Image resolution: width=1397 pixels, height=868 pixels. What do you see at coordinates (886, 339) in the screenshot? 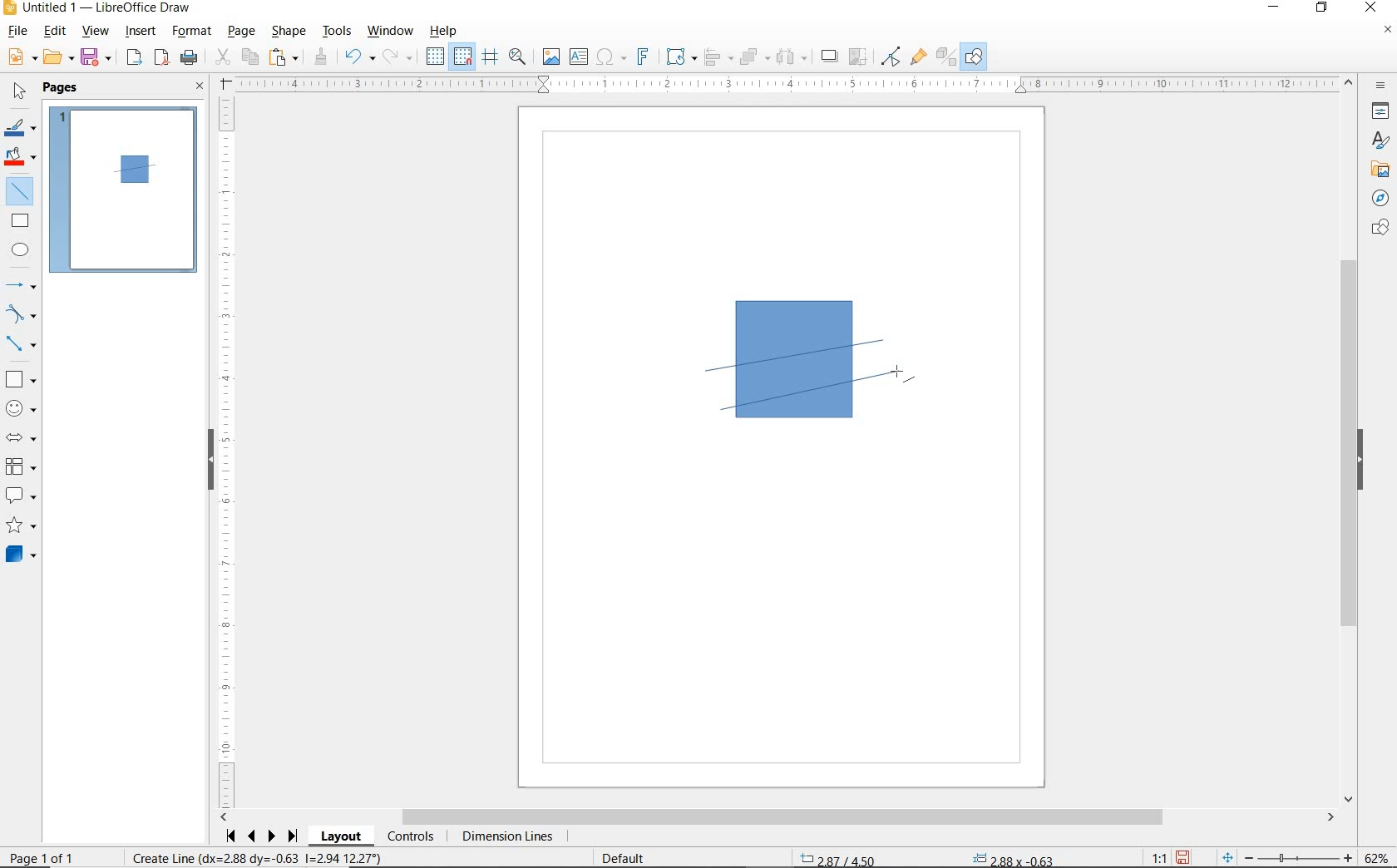
I see `LINE TOOL AT DRAG` at bounding box center [886, 339].